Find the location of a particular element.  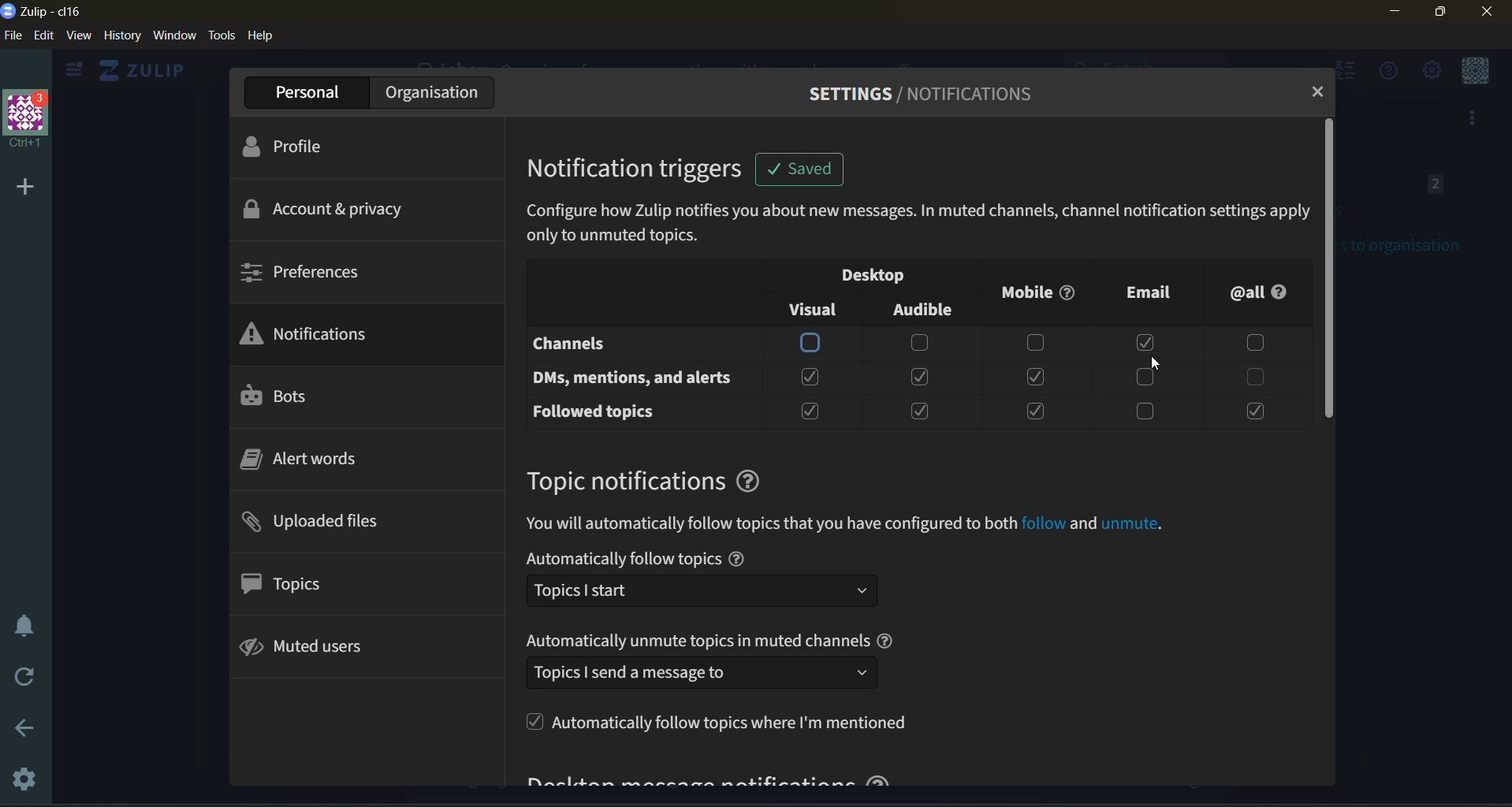

text is located at coordinates (770, 524).